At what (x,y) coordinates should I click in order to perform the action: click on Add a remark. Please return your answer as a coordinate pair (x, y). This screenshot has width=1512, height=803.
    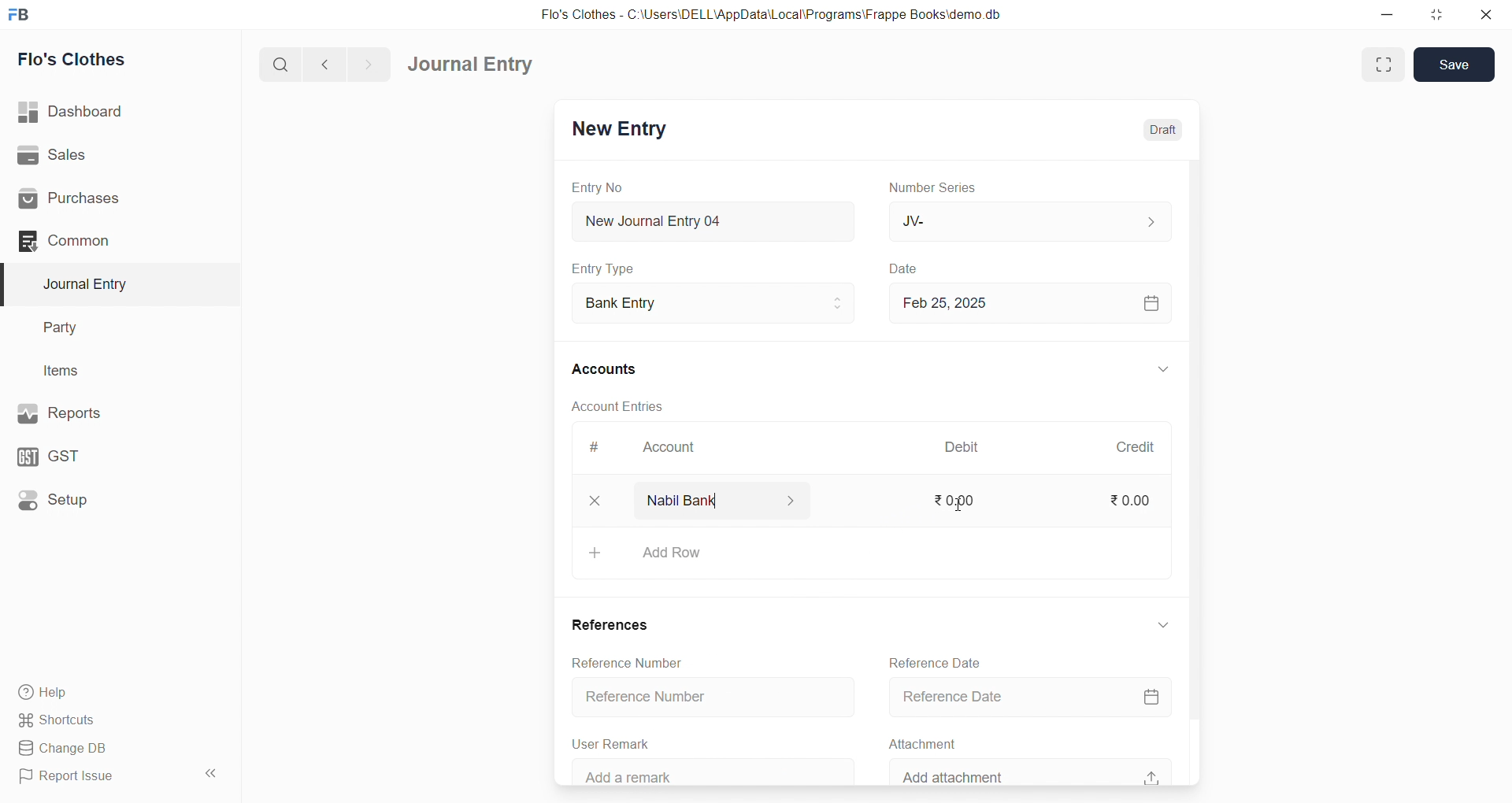
    Looking at the image, I should click on (699, 772).